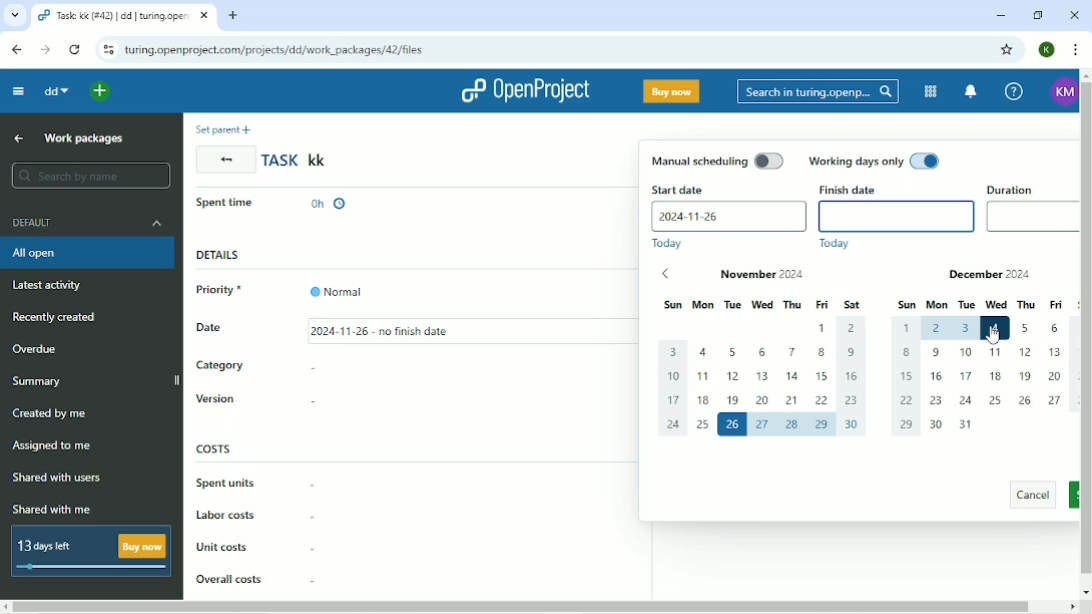 The width and height of the screenshot is (1092, 614). I want to click on Collapse project menu, so click(19, 92).